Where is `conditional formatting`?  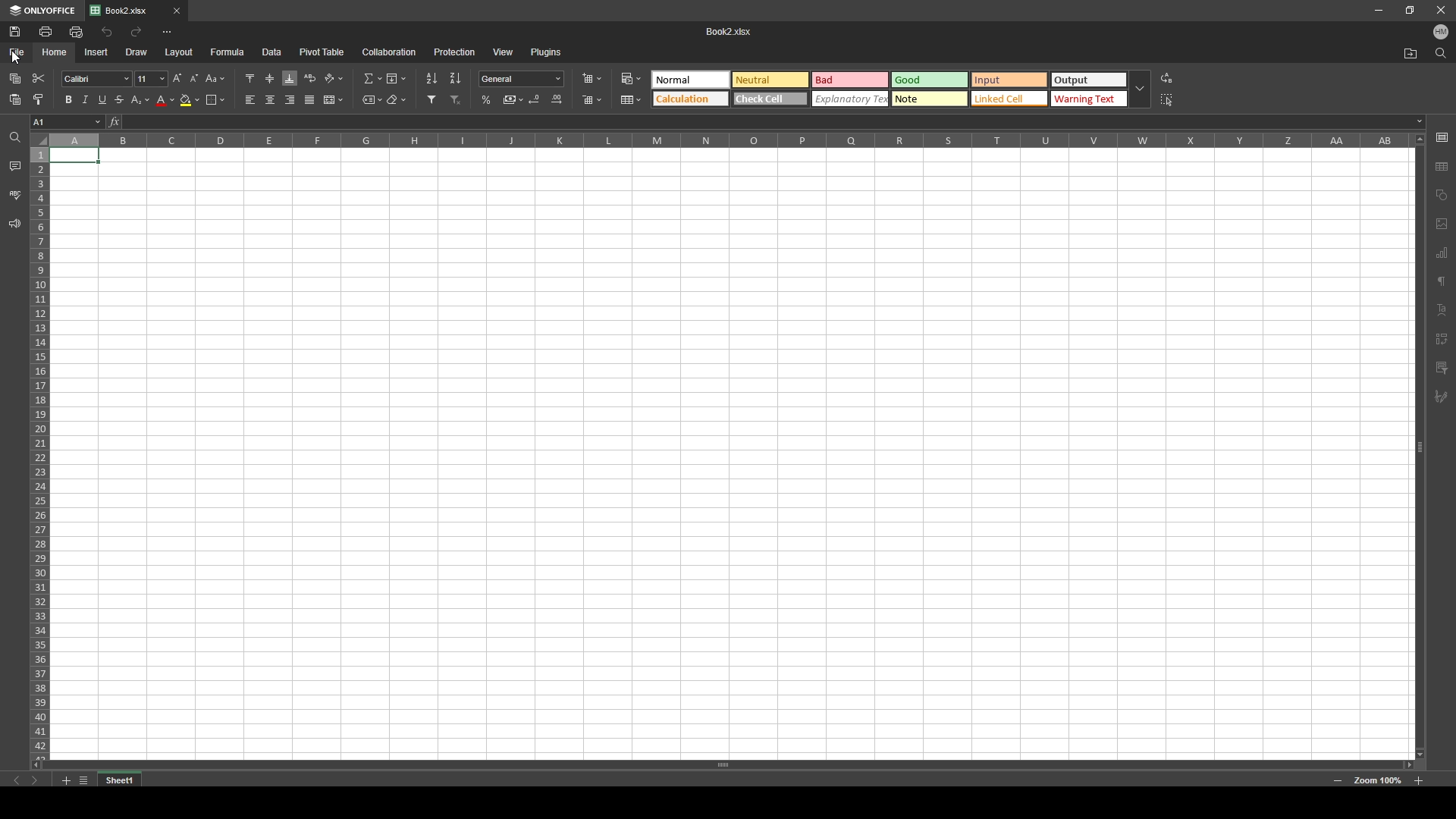
conditional formatting is located at coordinates (632, 79).